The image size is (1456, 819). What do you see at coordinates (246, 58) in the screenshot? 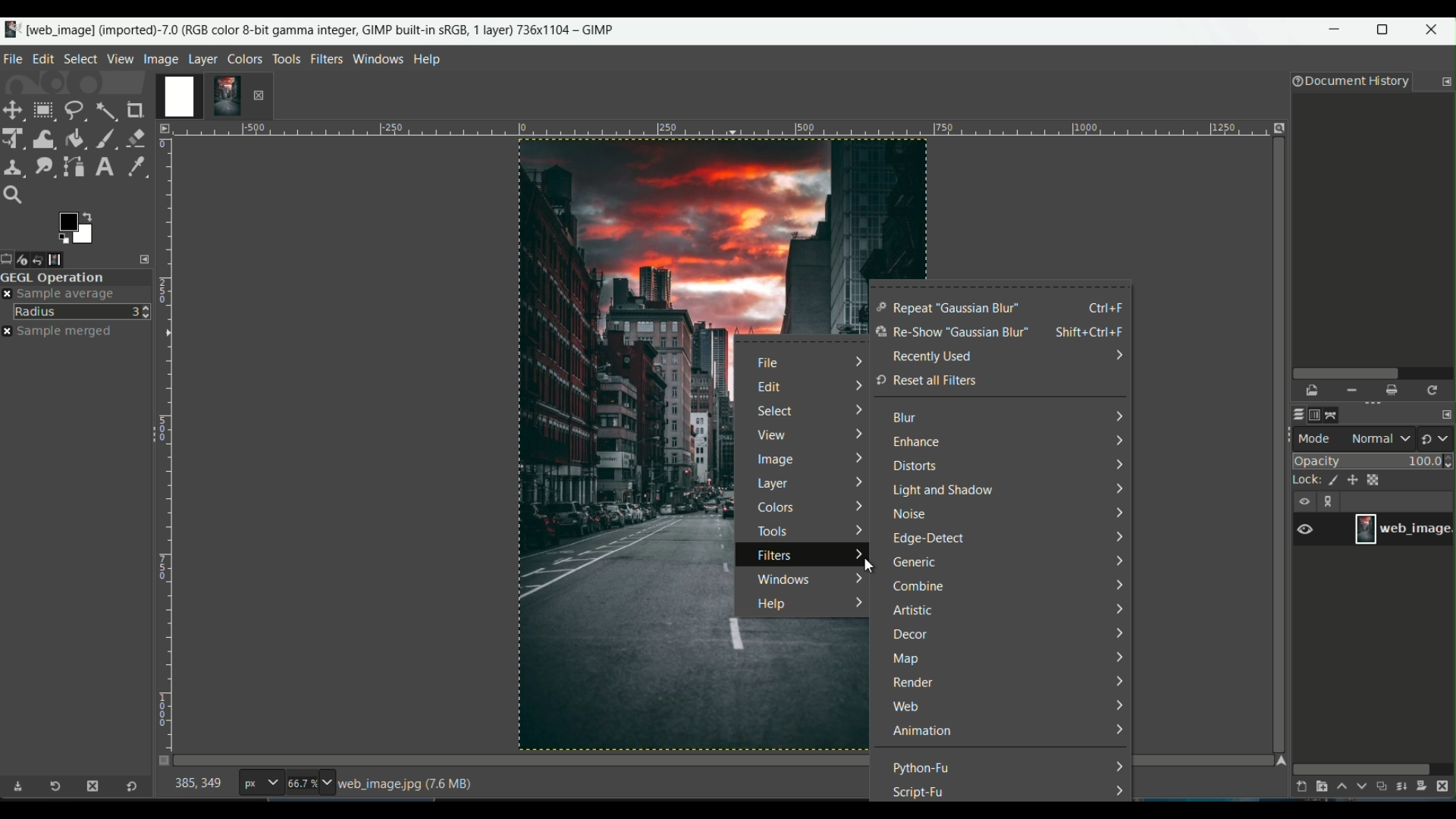
I see `colors tab` at bounding box center [246, 58].